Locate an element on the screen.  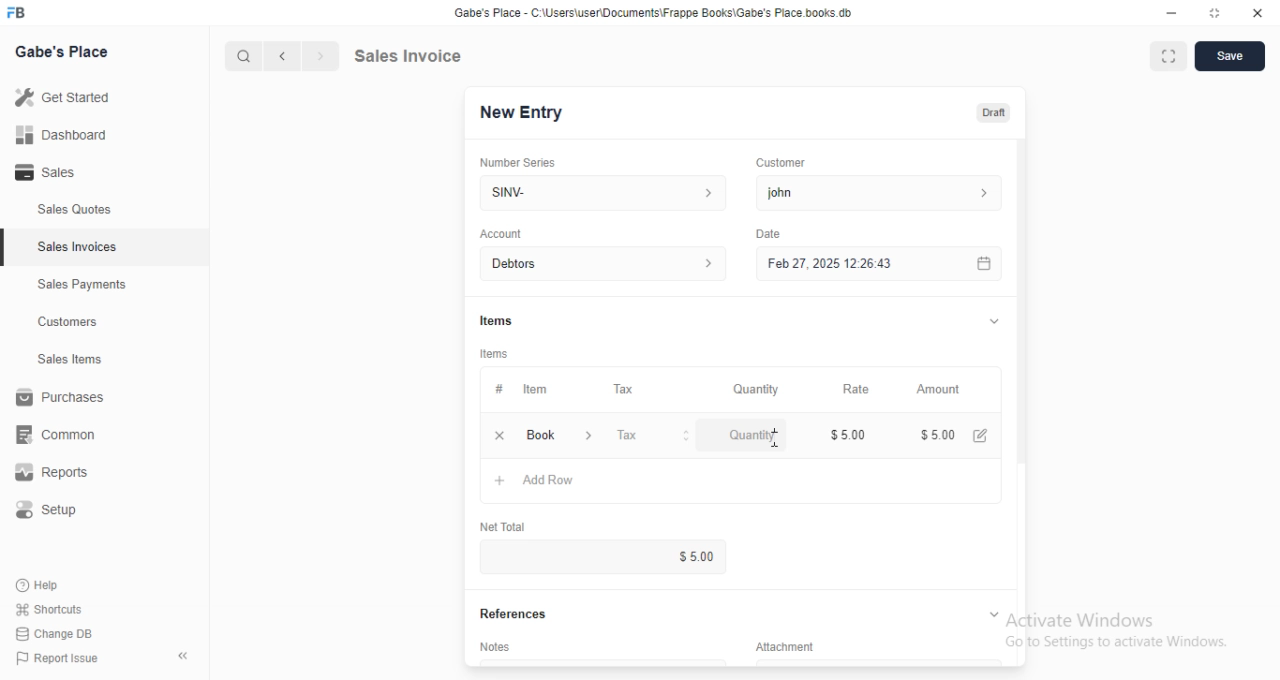
Next is located at coordinates (319, 54).